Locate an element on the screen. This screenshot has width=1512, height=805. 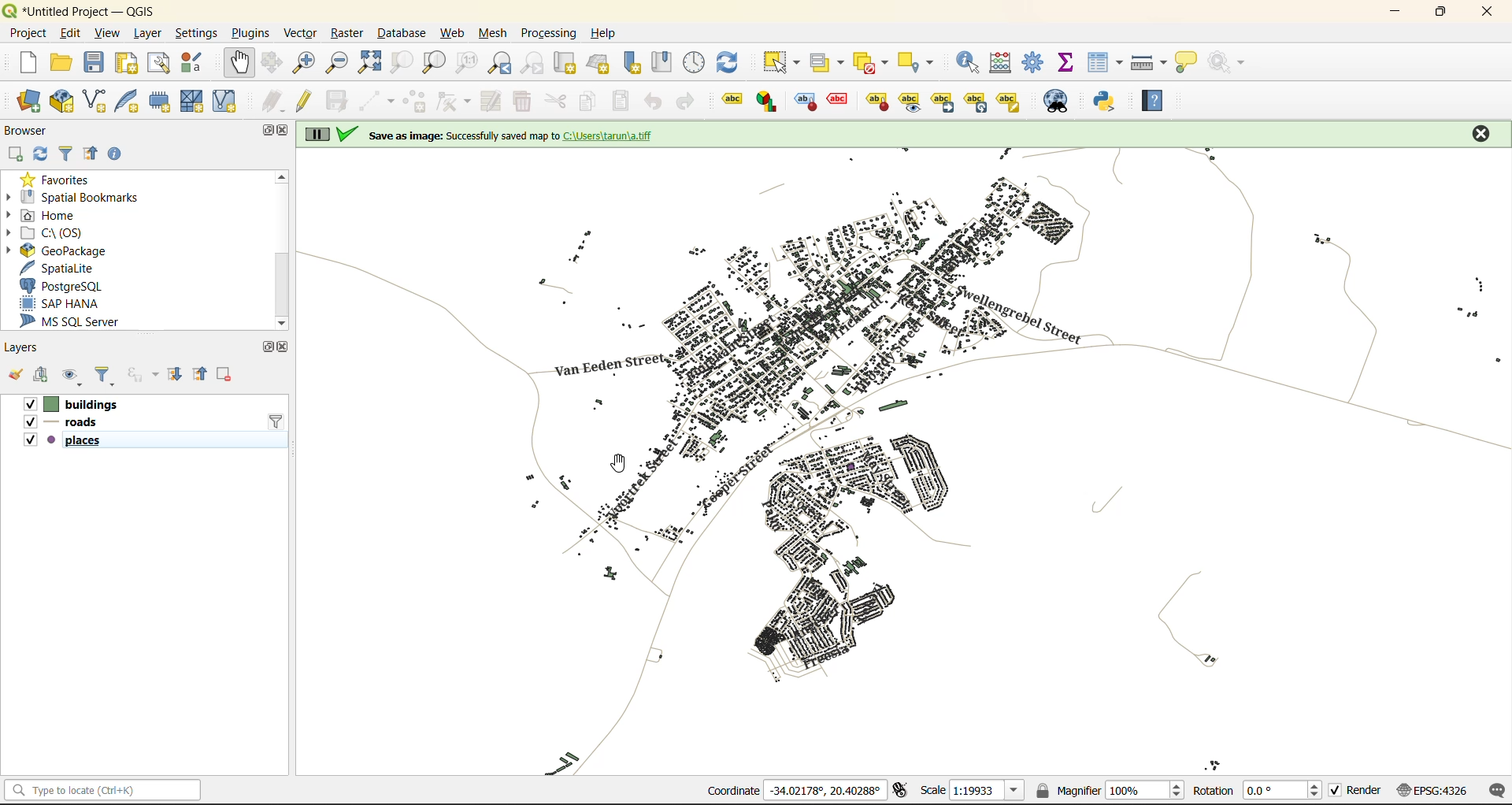
filter is located at coordinates (272, 420).